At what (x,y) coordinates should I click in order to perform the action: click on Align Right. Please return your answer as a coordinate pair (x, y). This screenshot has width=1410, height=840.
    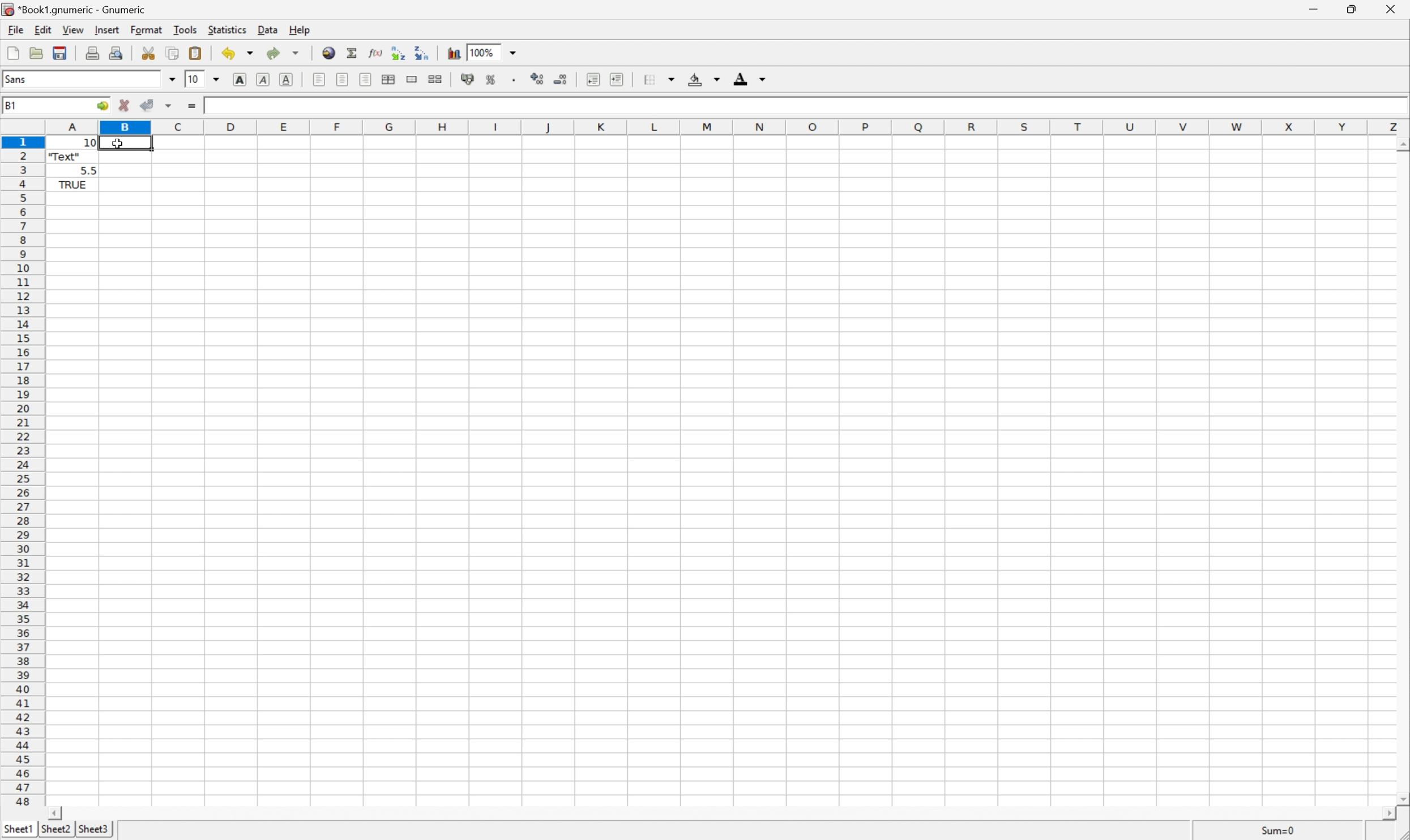
    Looking at the image, I should click on (364, 80).